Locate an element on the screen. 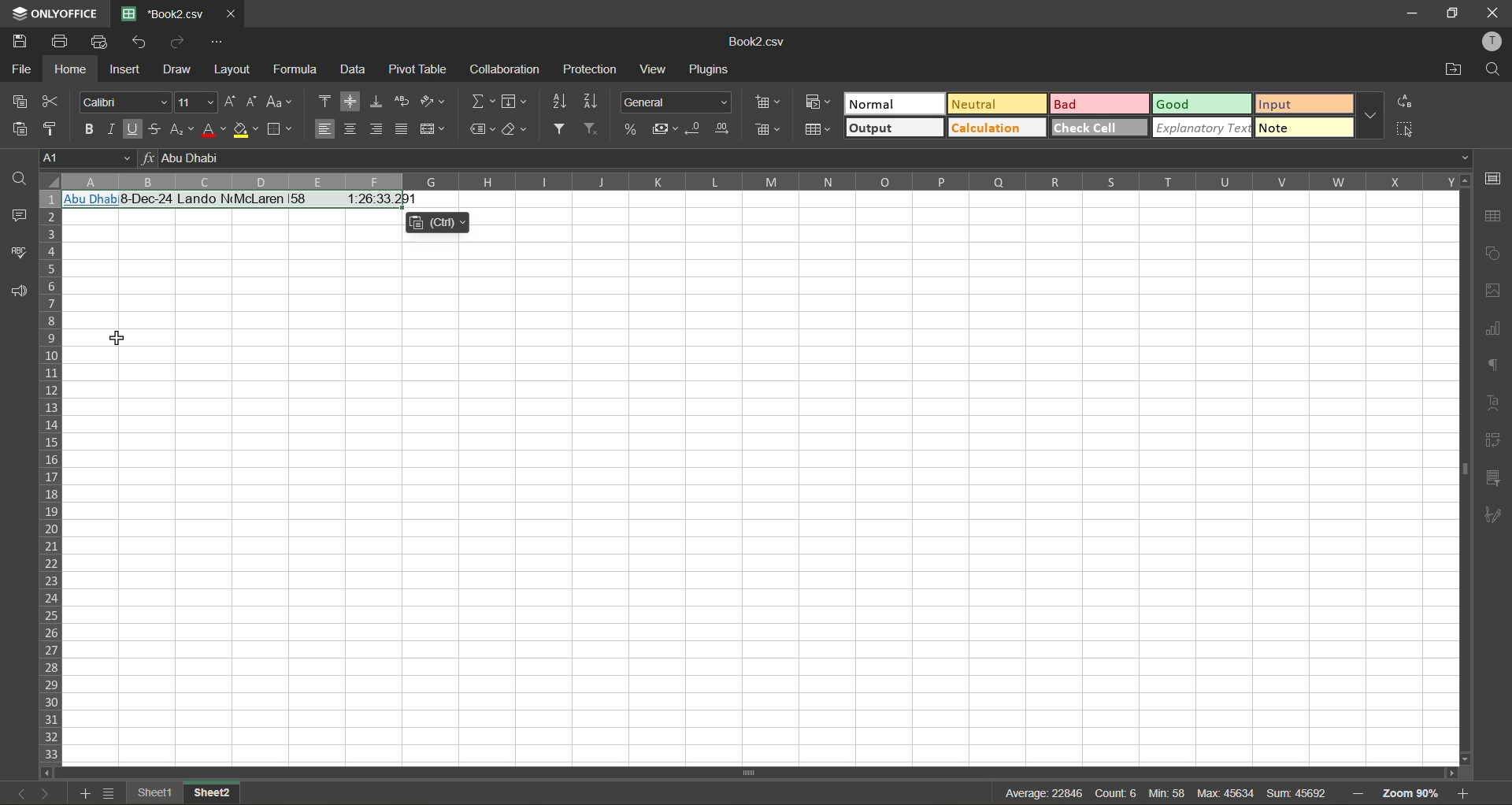 The image size is (1512, 805). data pasted from row is located at coordinates (246, 203).